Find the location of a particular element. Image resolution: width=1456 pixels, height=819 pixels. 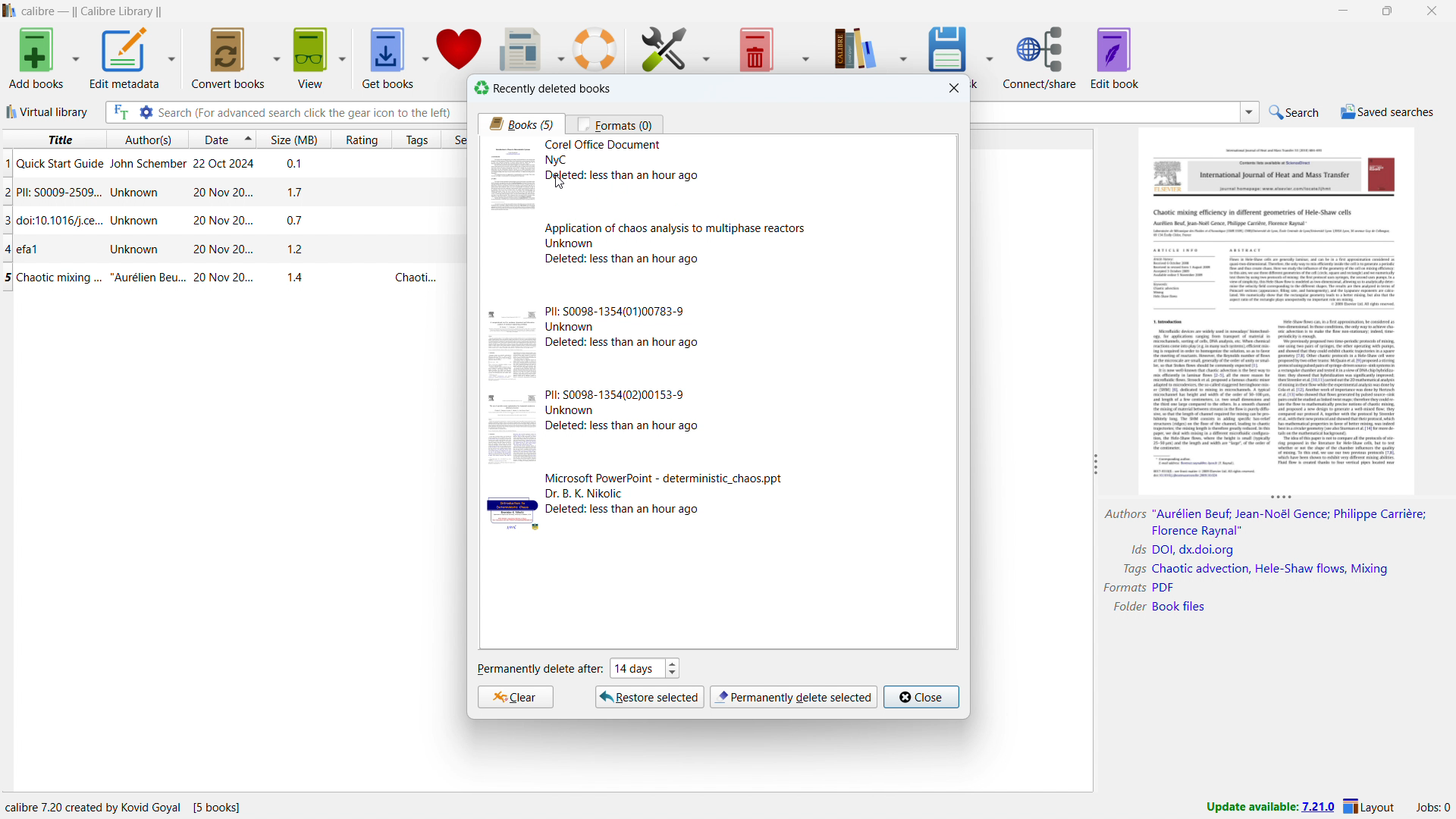

set when to permanently delete is located at coordinates (644, 667).